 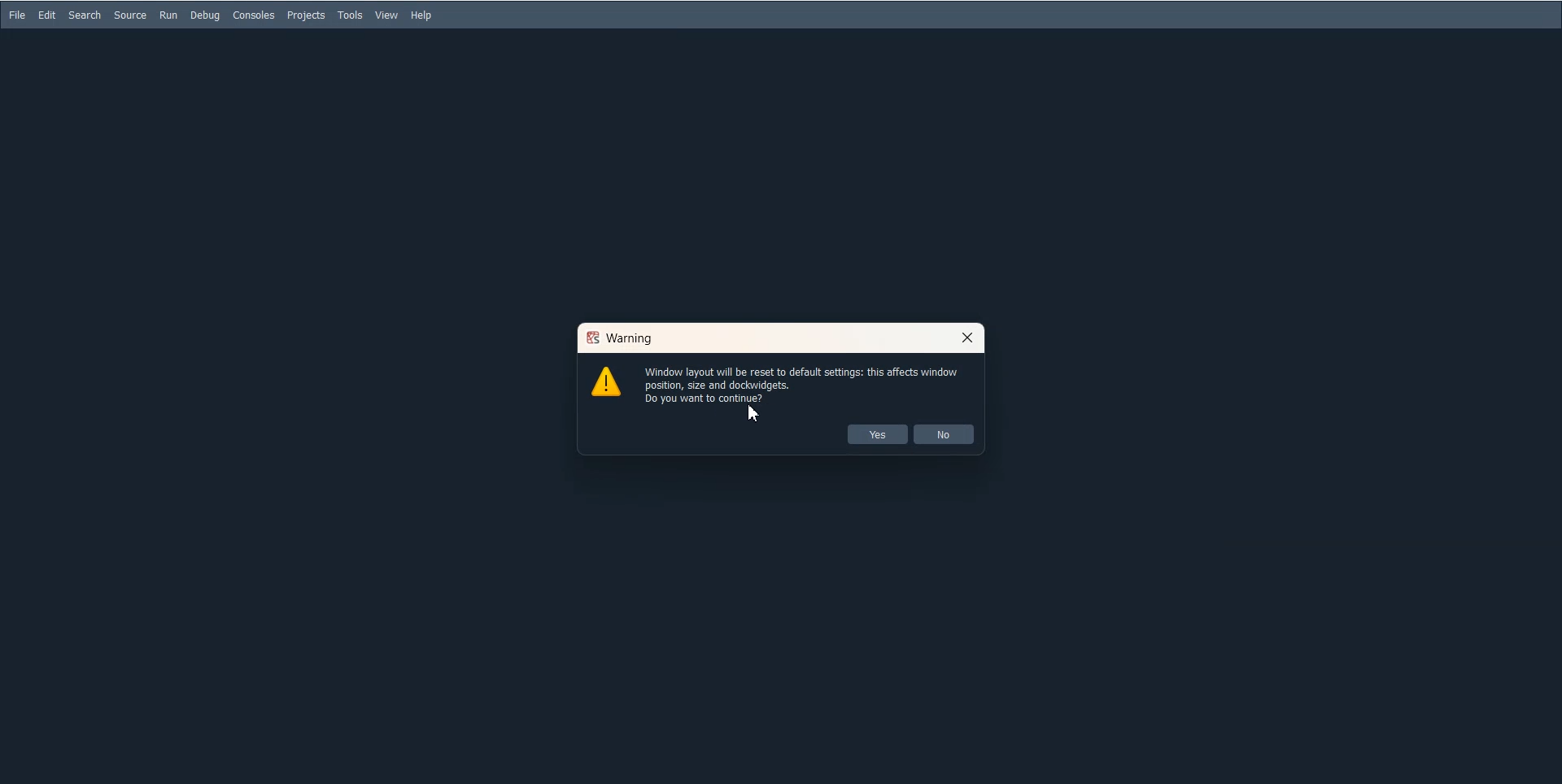 What do you see at coordinates (18, 15) in the screenshot?
I see `File` at bounding box center [18, 15].